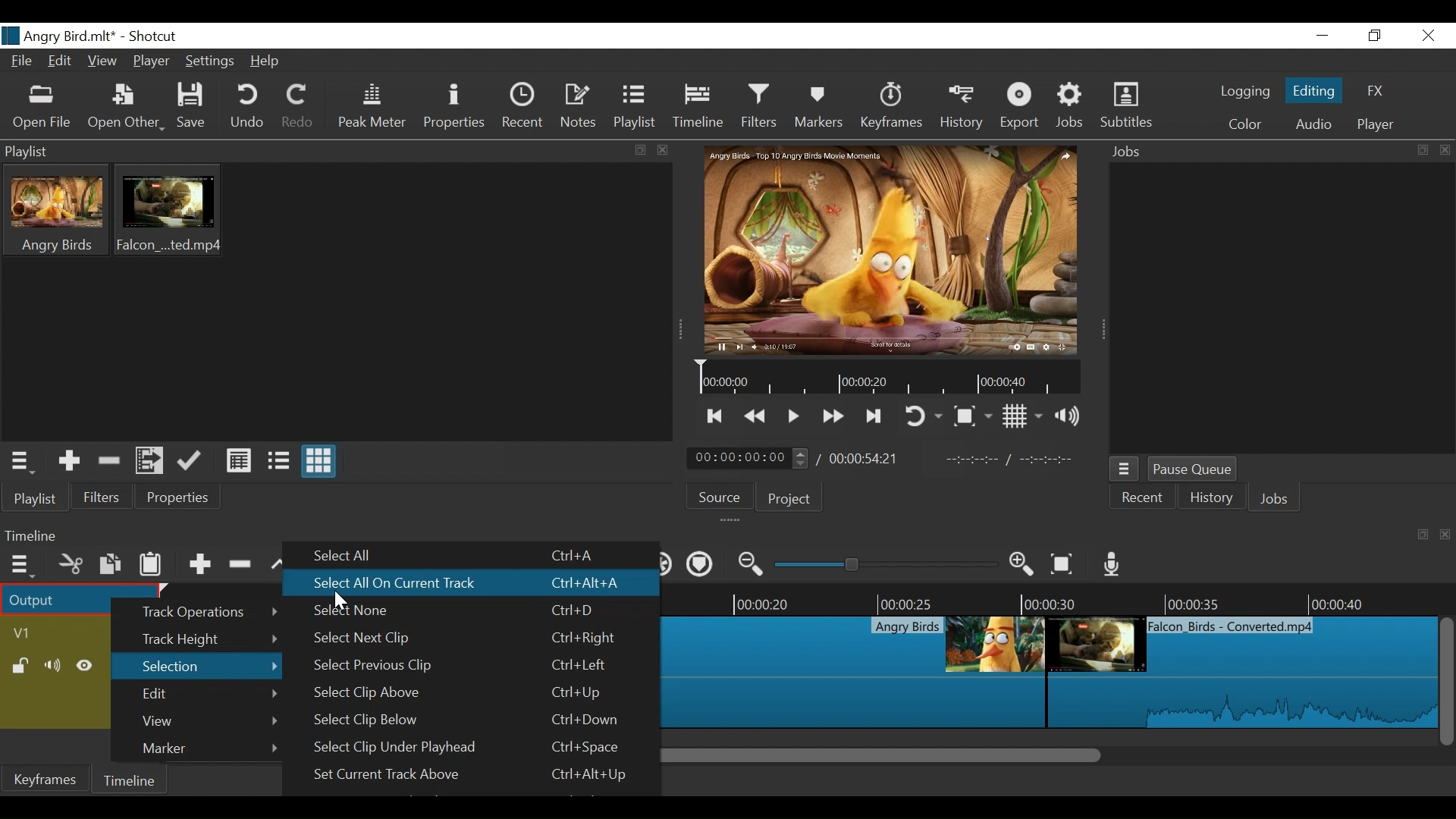 The image size is (1456, 819). I want to click on Playlist Panel, so click(337, 152).